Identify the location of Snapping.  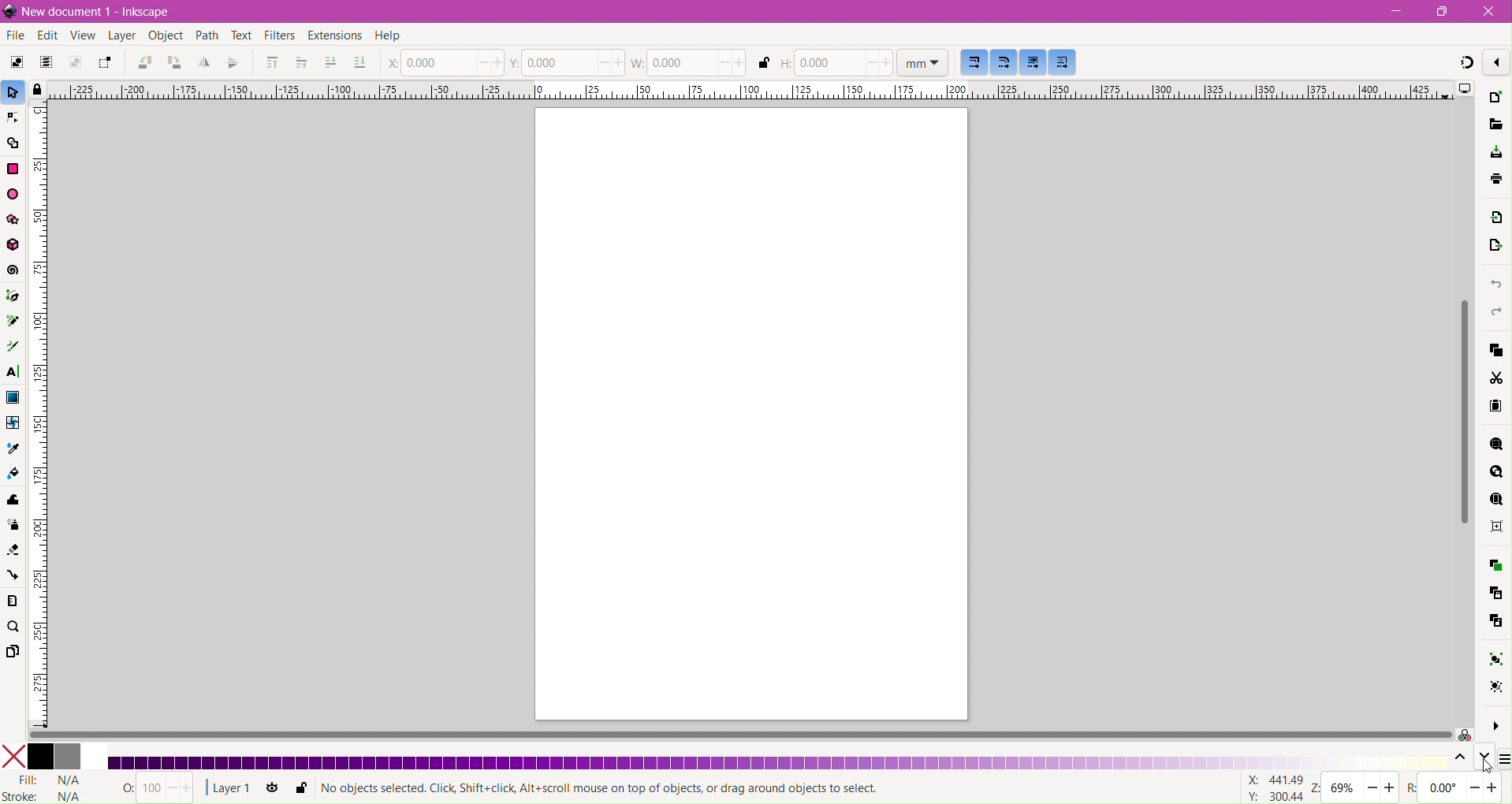
(1466, 65).